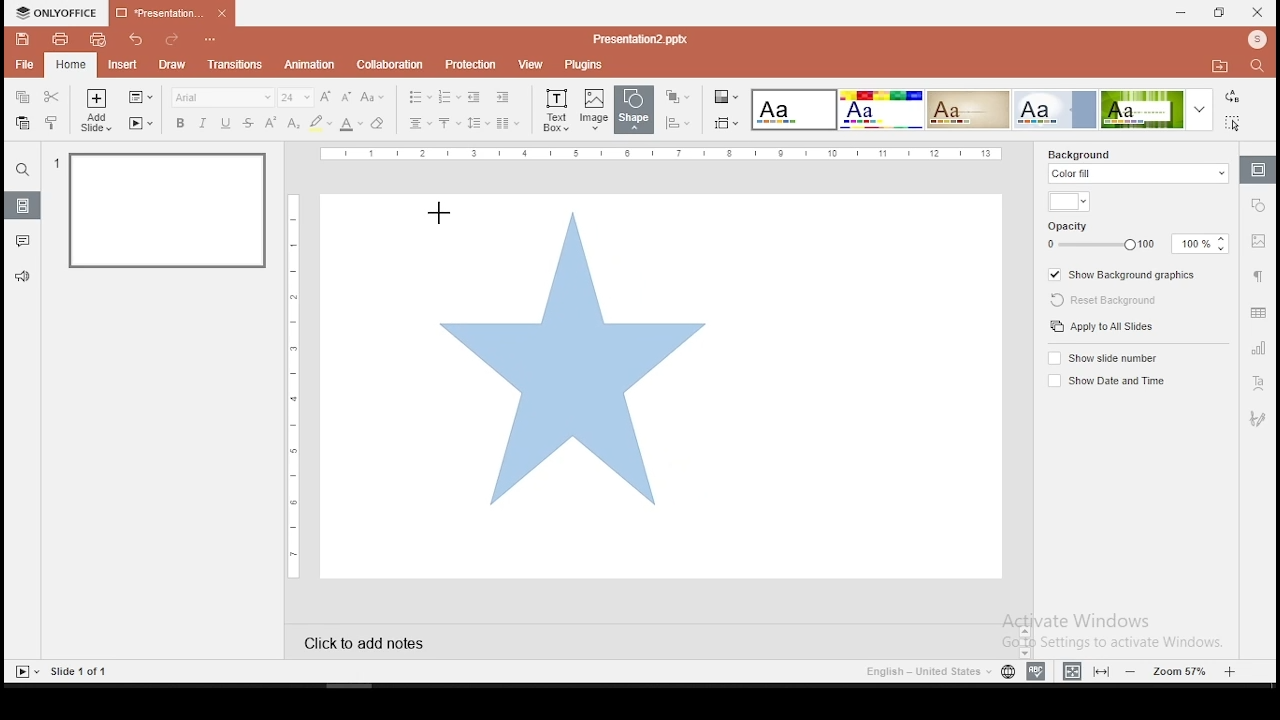 This screenshot has width=1280, height=720. Describe the element at coordinates (1256, 347) in the screenshot. I see `chart settings` at that location.